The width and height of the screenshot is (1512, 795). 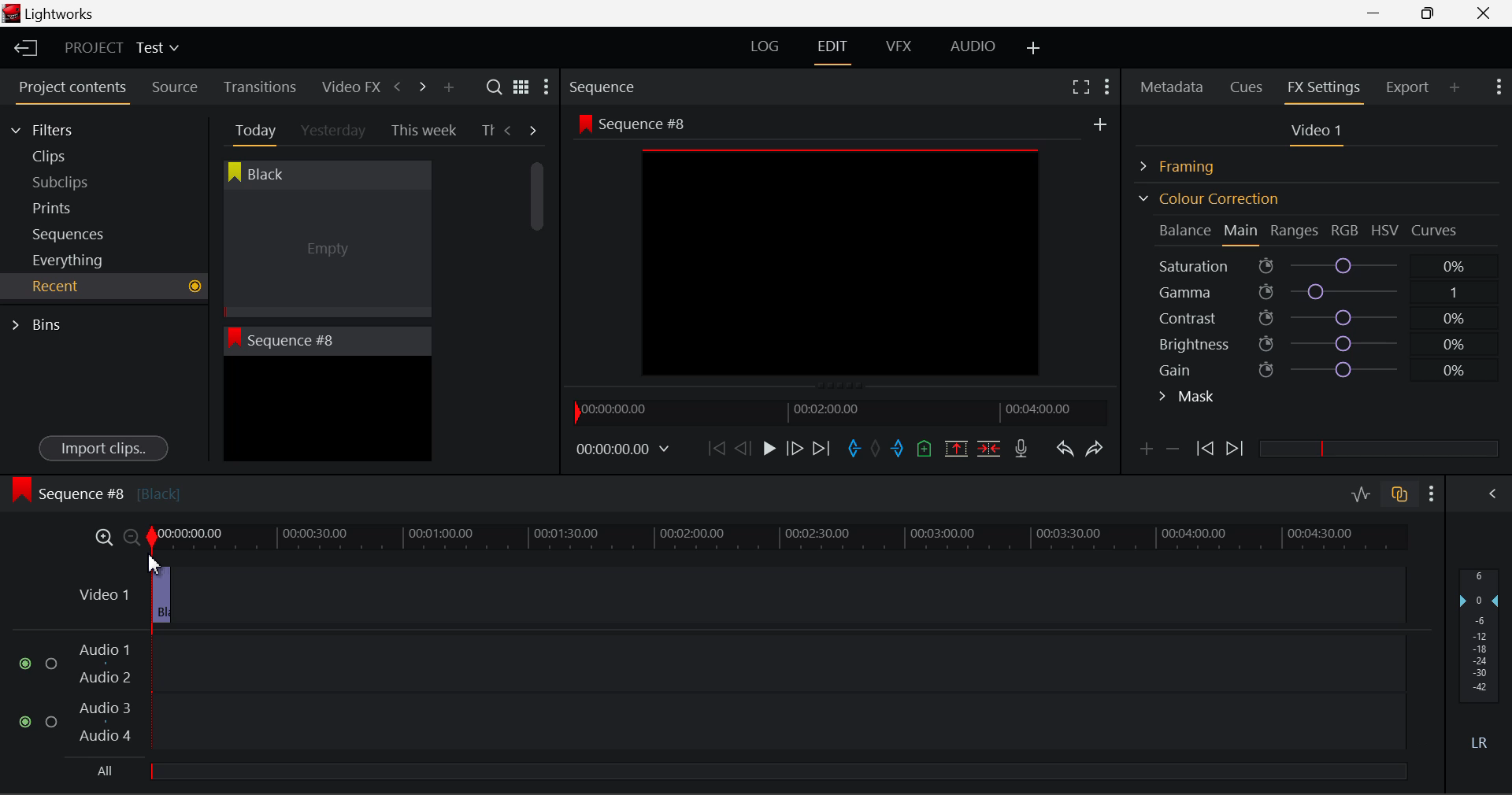 What do you see at coordinates (252, 130) in the screenshot?
I see `Today Tab Open` at bounding box center [252, 130].